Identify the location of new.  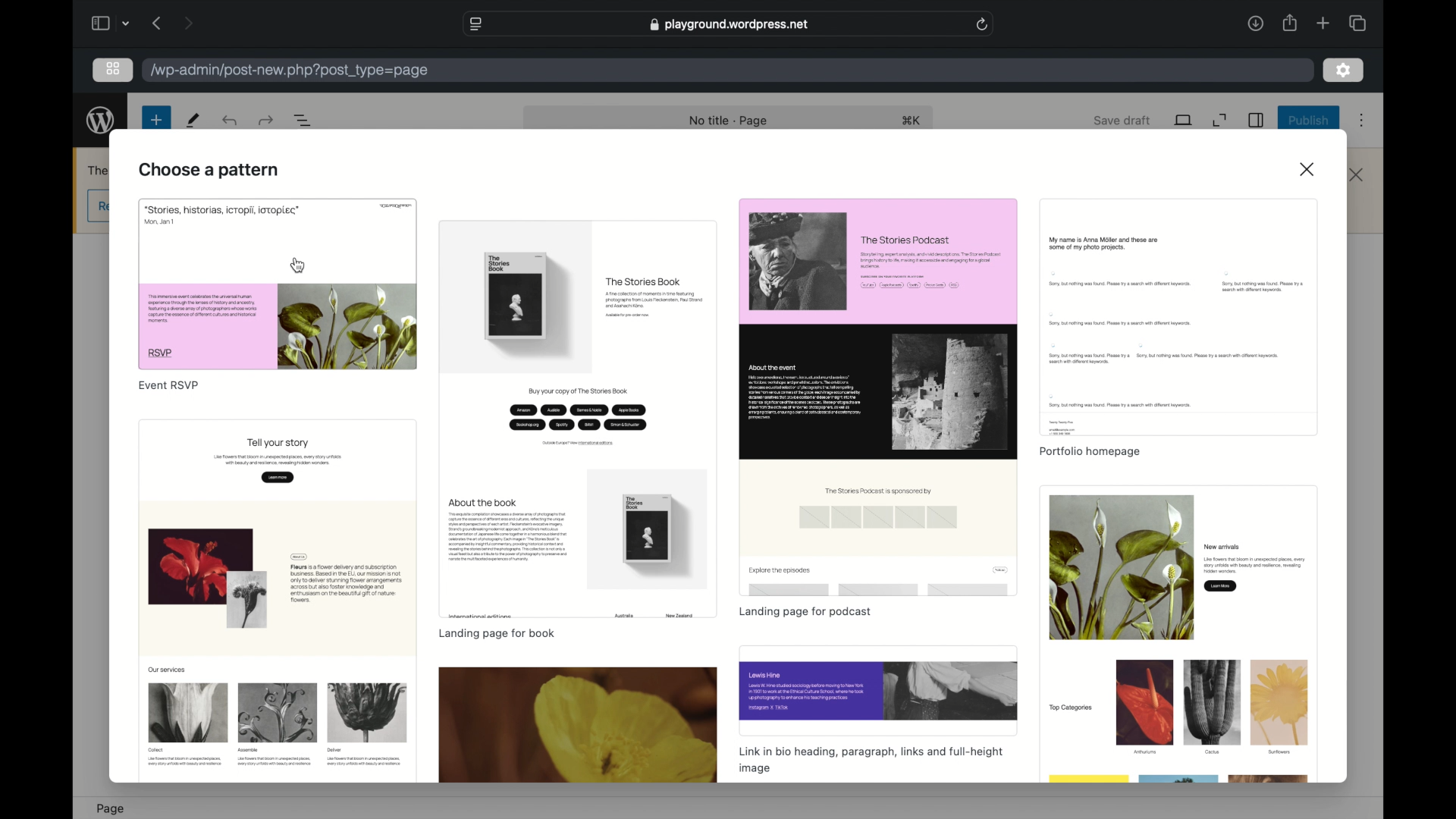
(156, 119).